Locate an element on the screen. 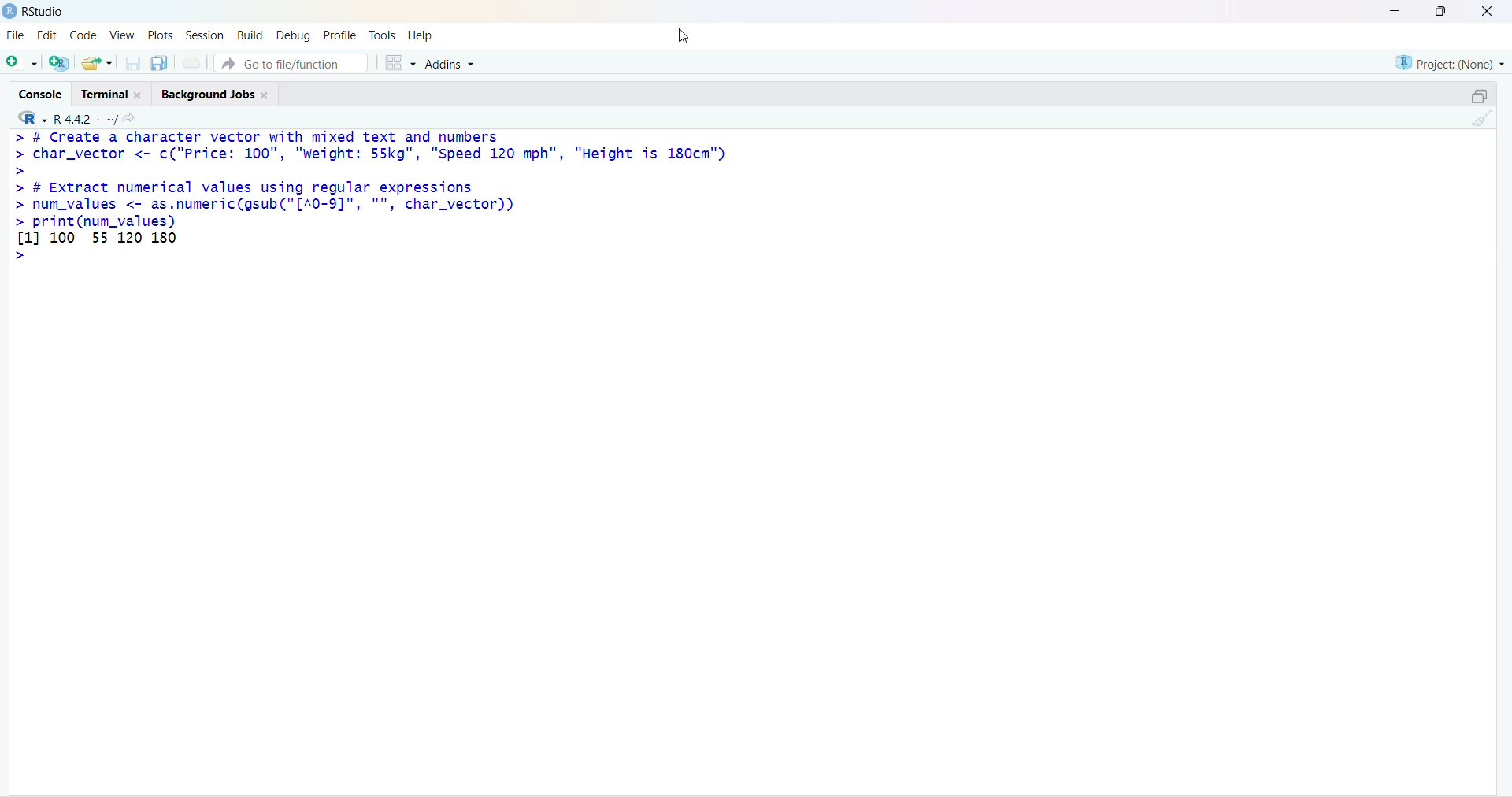  close is located at coordinates (265, 95).